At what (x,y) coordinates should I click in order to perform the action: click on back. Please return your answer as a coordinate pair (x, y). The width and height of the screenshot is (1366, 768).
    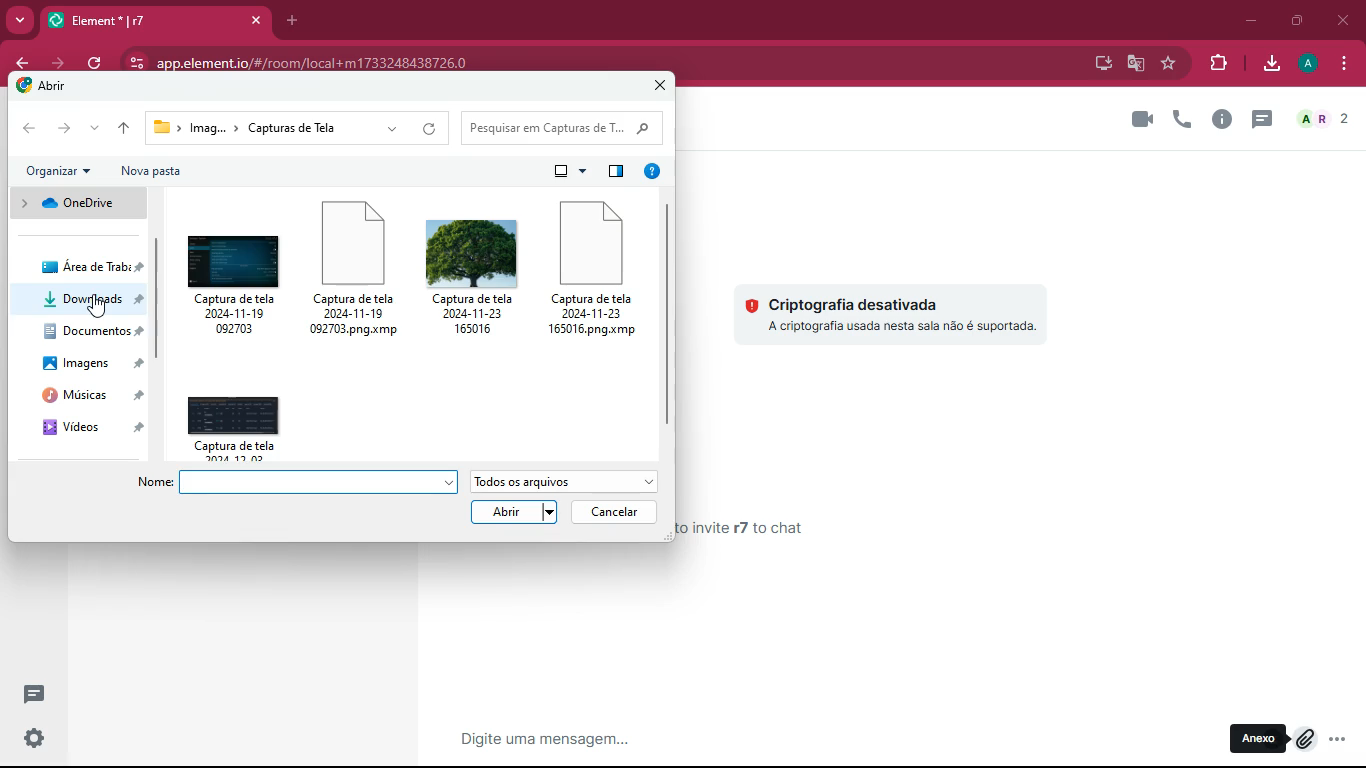
    Looking at the image, I should click on (18, 65).